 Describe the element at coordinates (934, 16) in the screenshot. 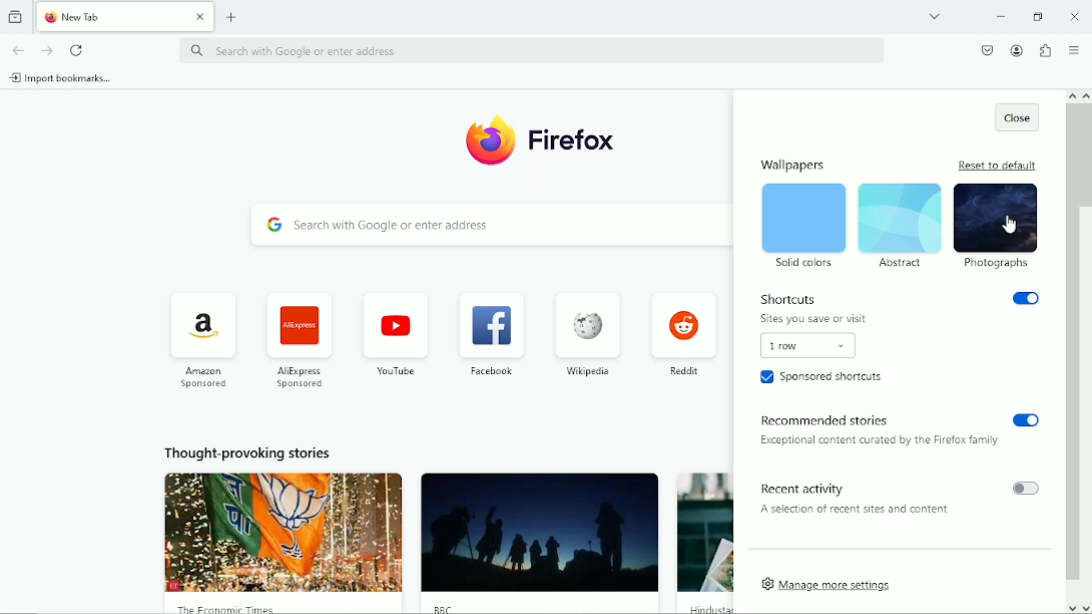

I see `List all tabs` at that location.